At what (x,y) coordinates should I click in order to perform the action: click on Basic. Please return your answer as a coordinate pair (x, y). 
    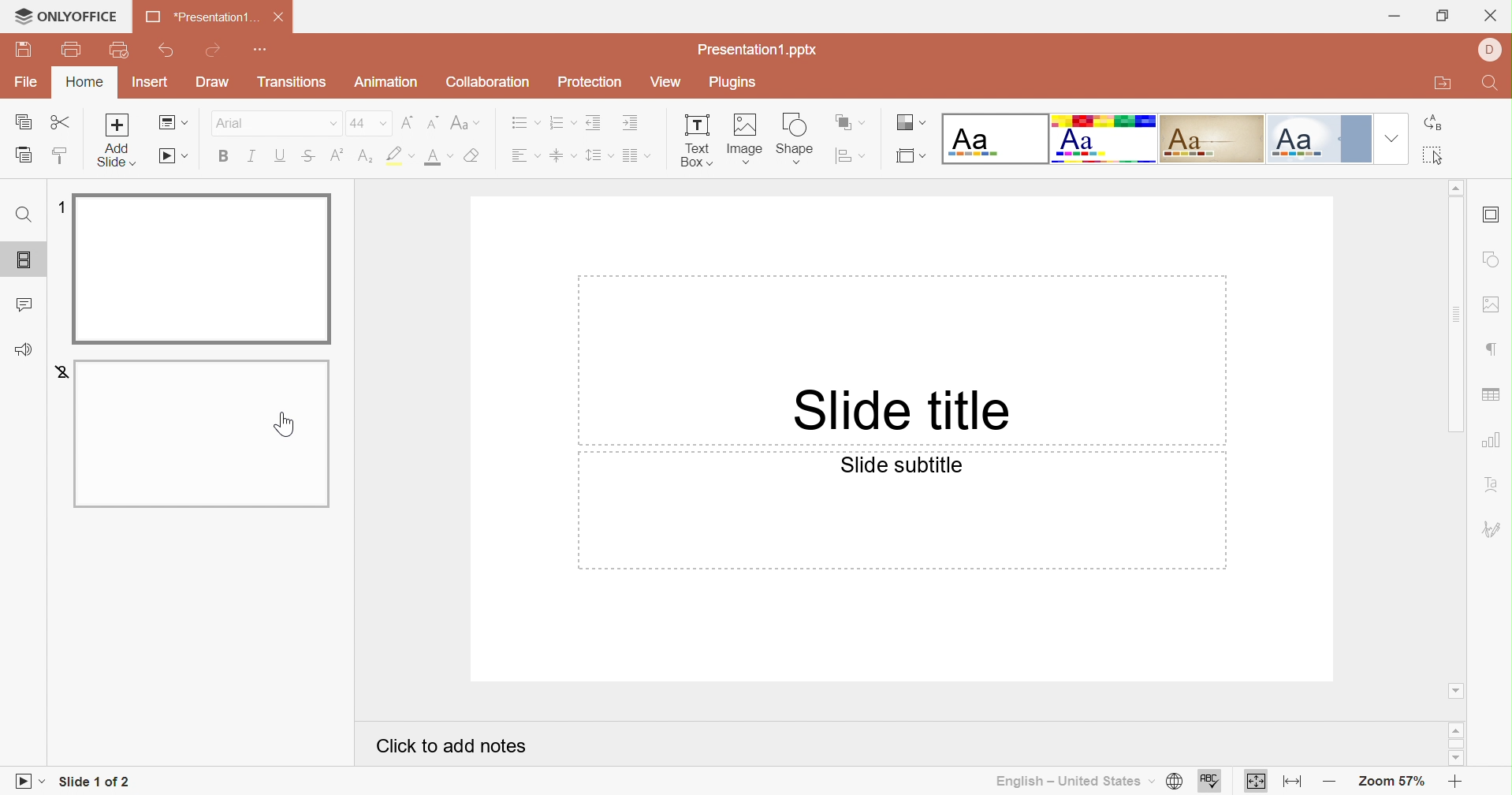
    Looking at the image, I should click on (1103, 140).